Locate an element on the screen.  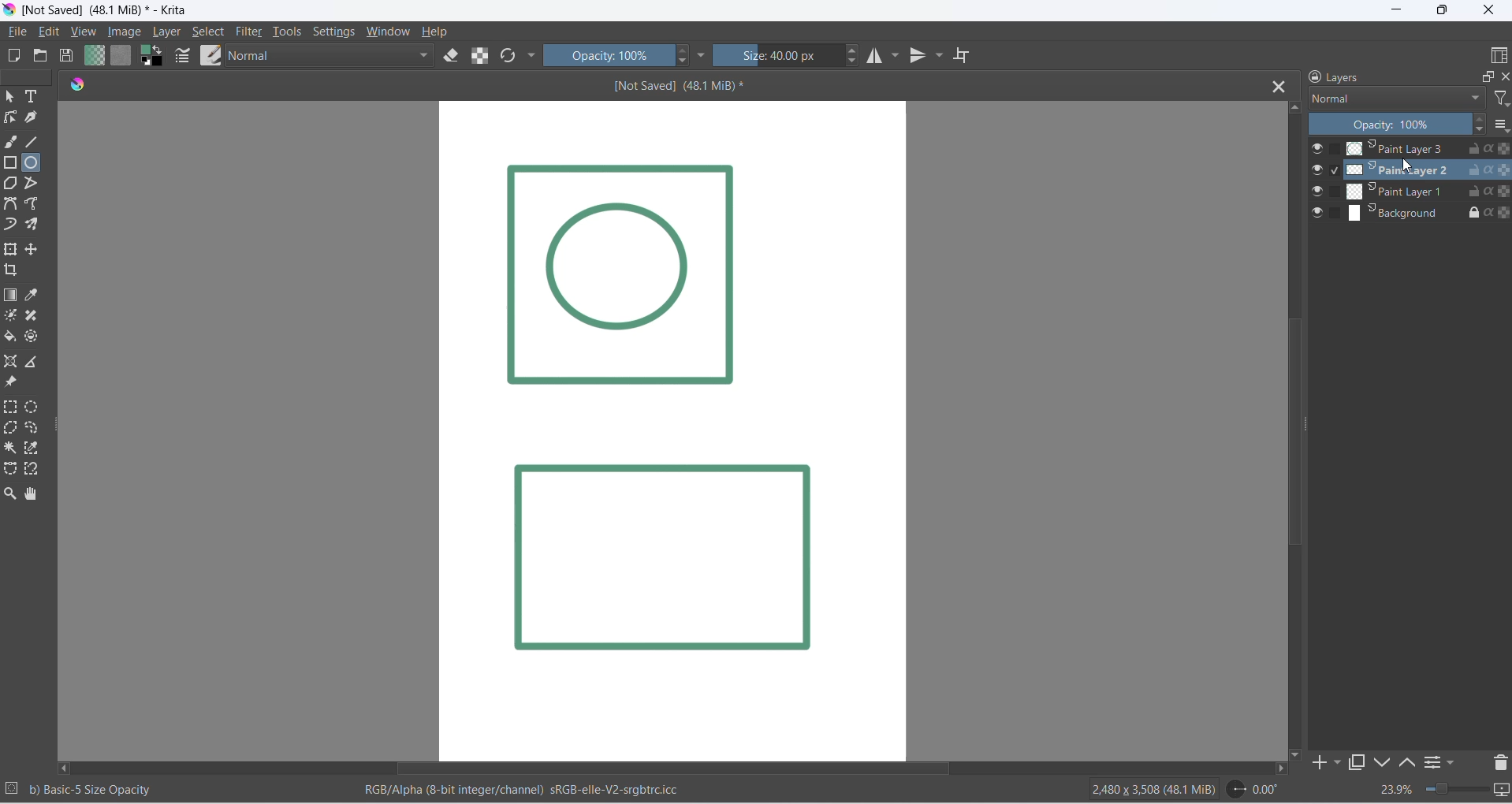
sample a color is located at coordinates (39, 295).